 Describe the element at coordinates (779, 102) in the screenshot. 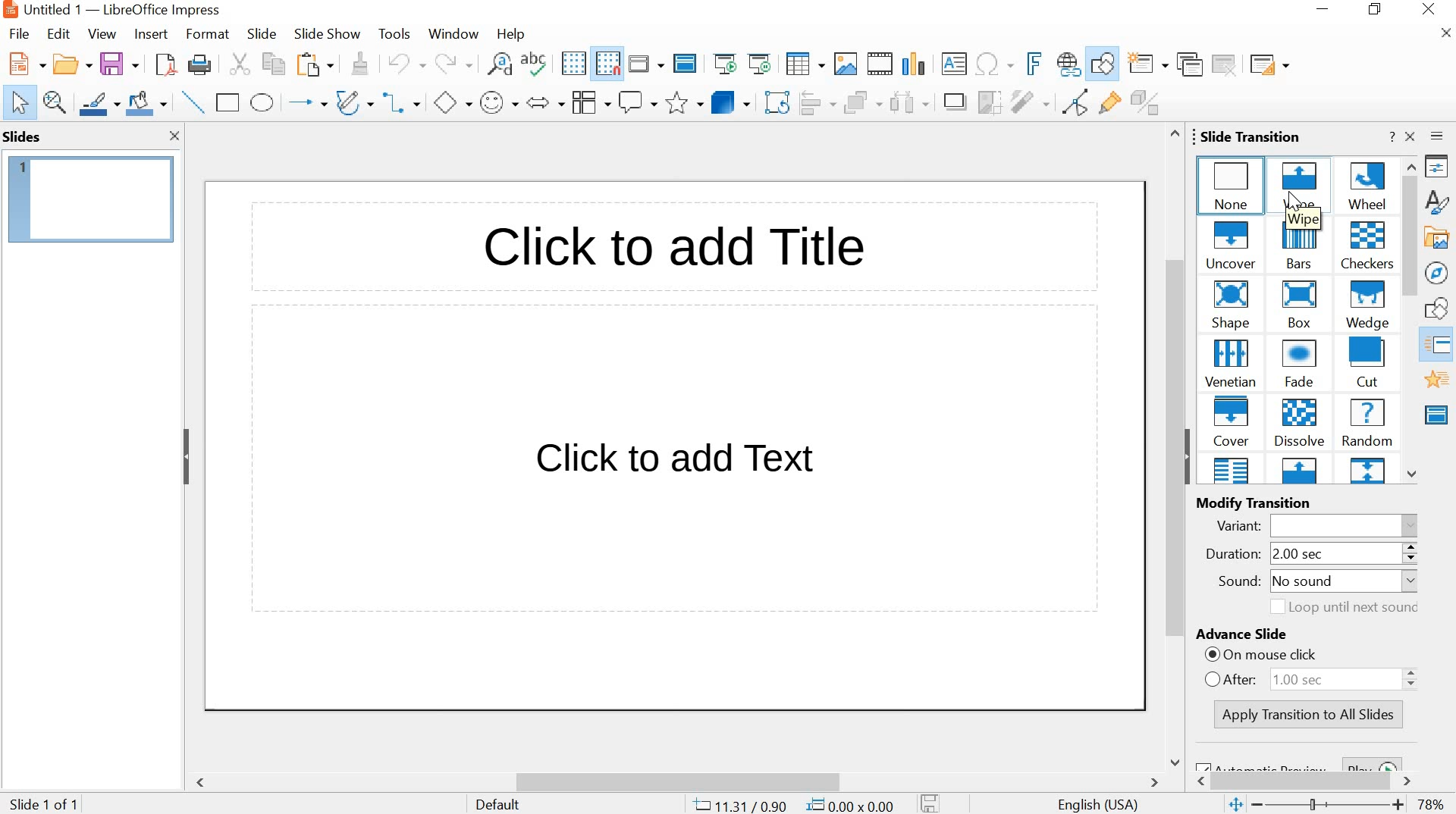

I see `Rotate` at that location.